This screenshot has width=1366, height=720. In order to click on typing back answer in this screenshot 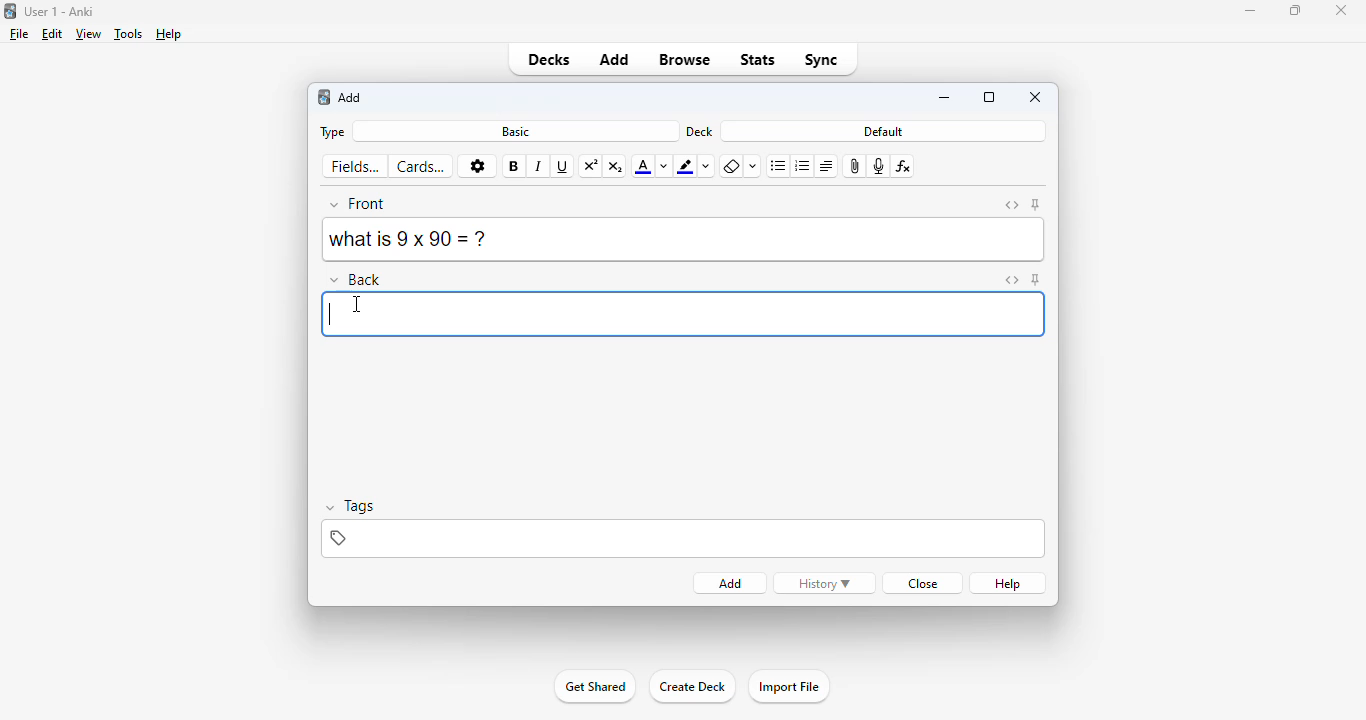, I will do `click(683, 314)`.